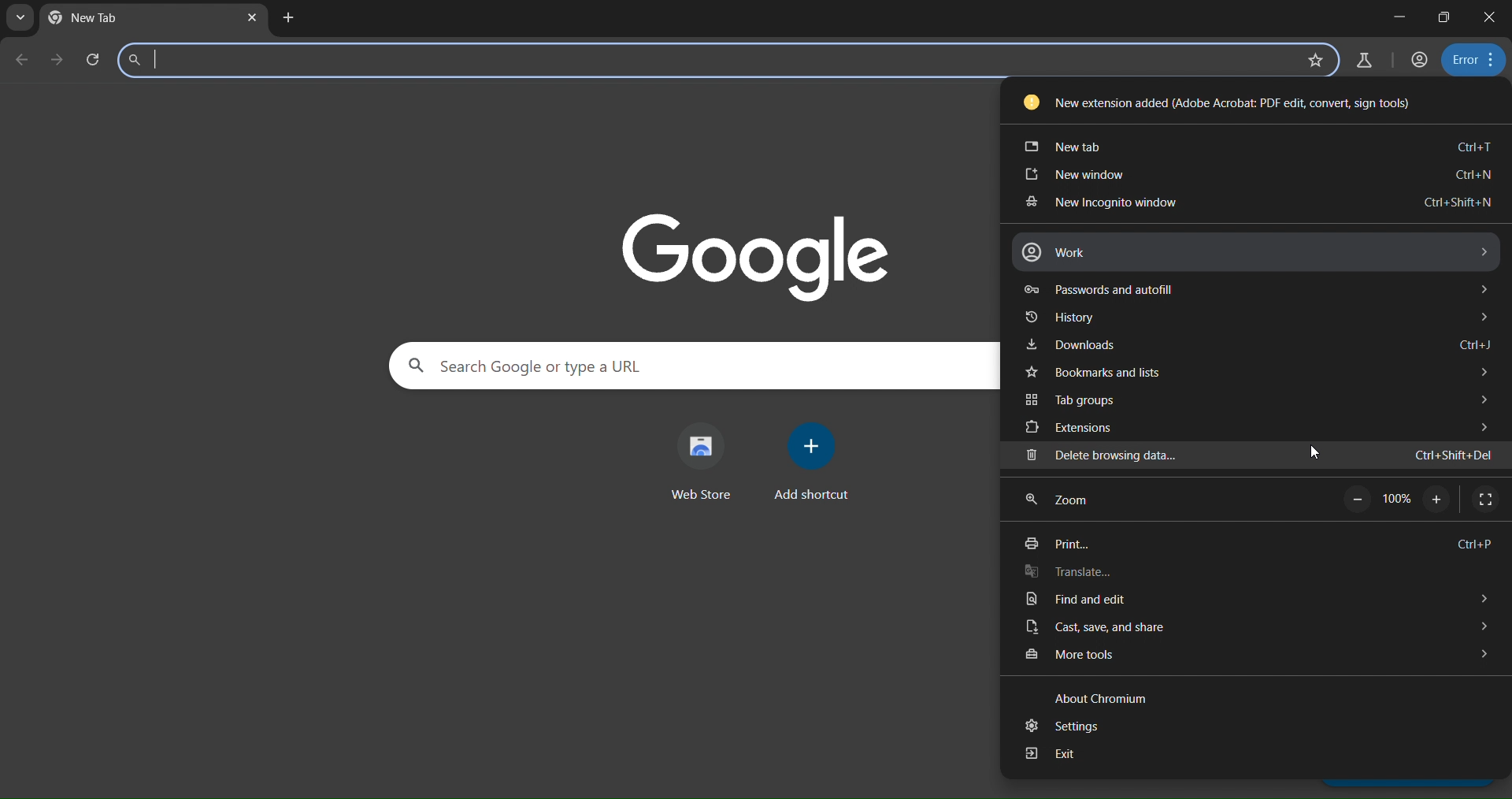  What do you see at coordinates (1366, 61) in the screenshot?
I see `search labs` at bounding box center [1366, 61].